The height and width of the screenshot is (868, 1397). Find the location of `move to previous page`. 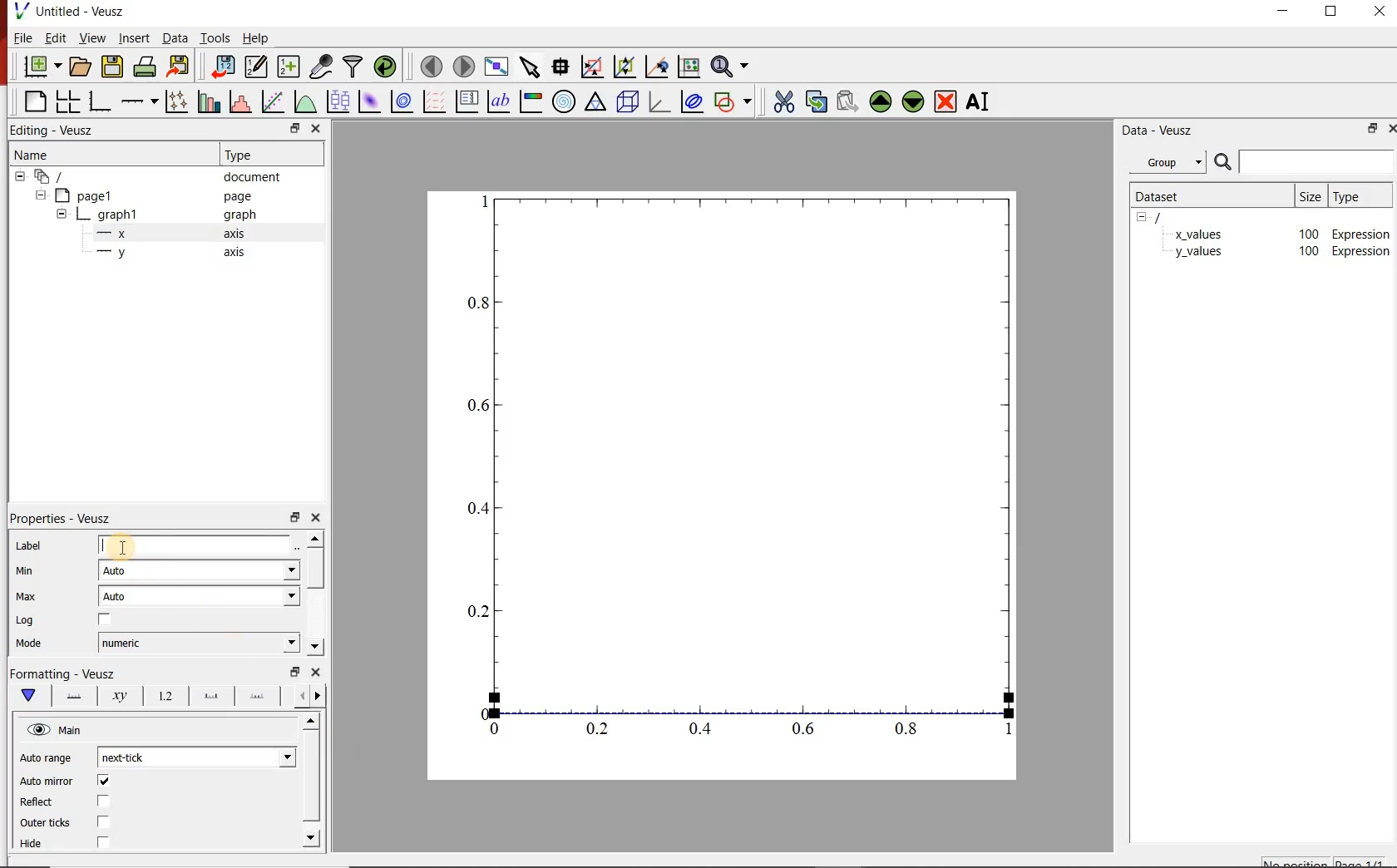

move to previous page is located at coordinates (431, 67).